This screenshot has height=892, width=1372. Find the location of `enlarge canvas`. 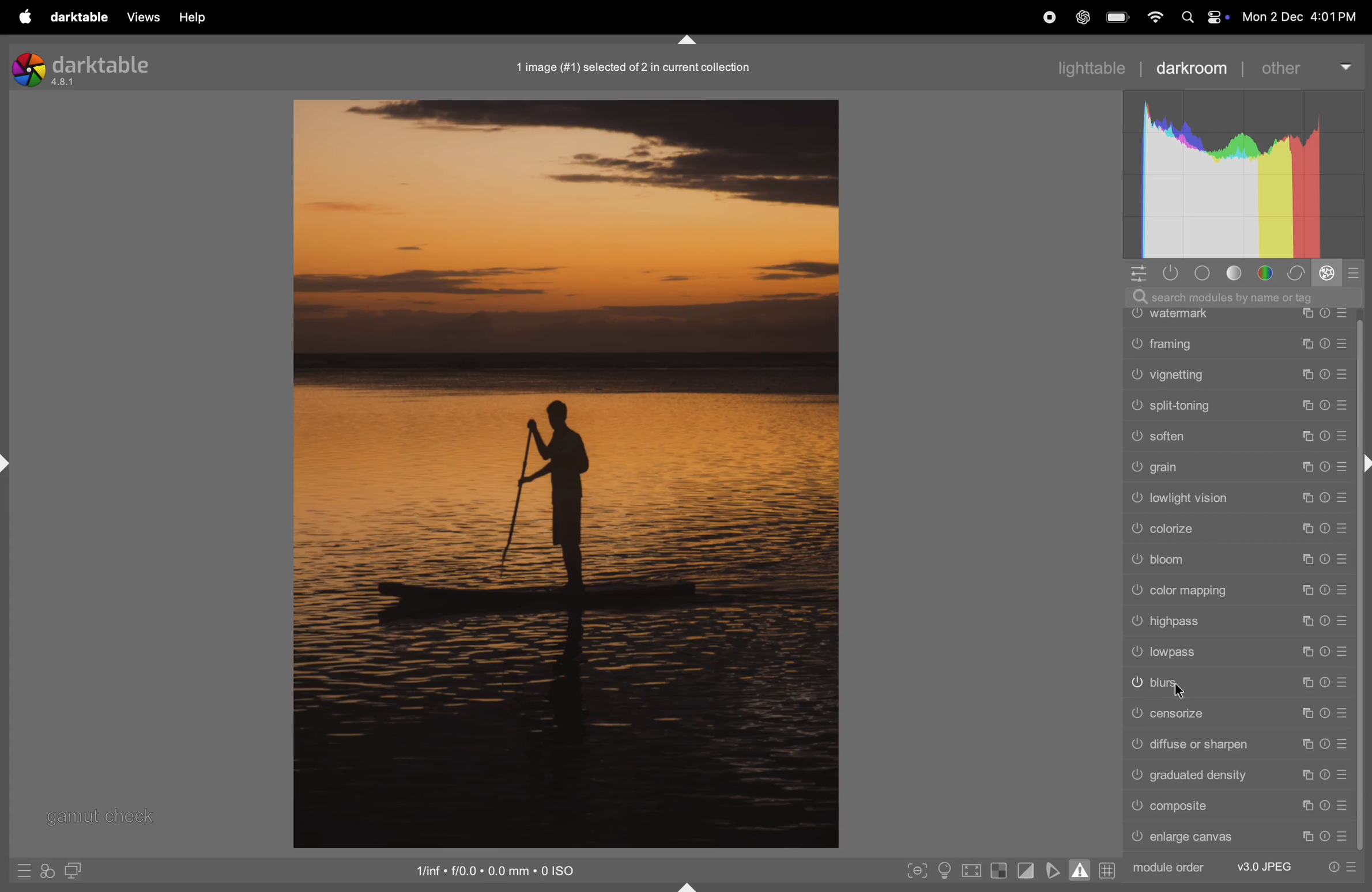

enlarge canvas is located at coordinates (1242, 838).